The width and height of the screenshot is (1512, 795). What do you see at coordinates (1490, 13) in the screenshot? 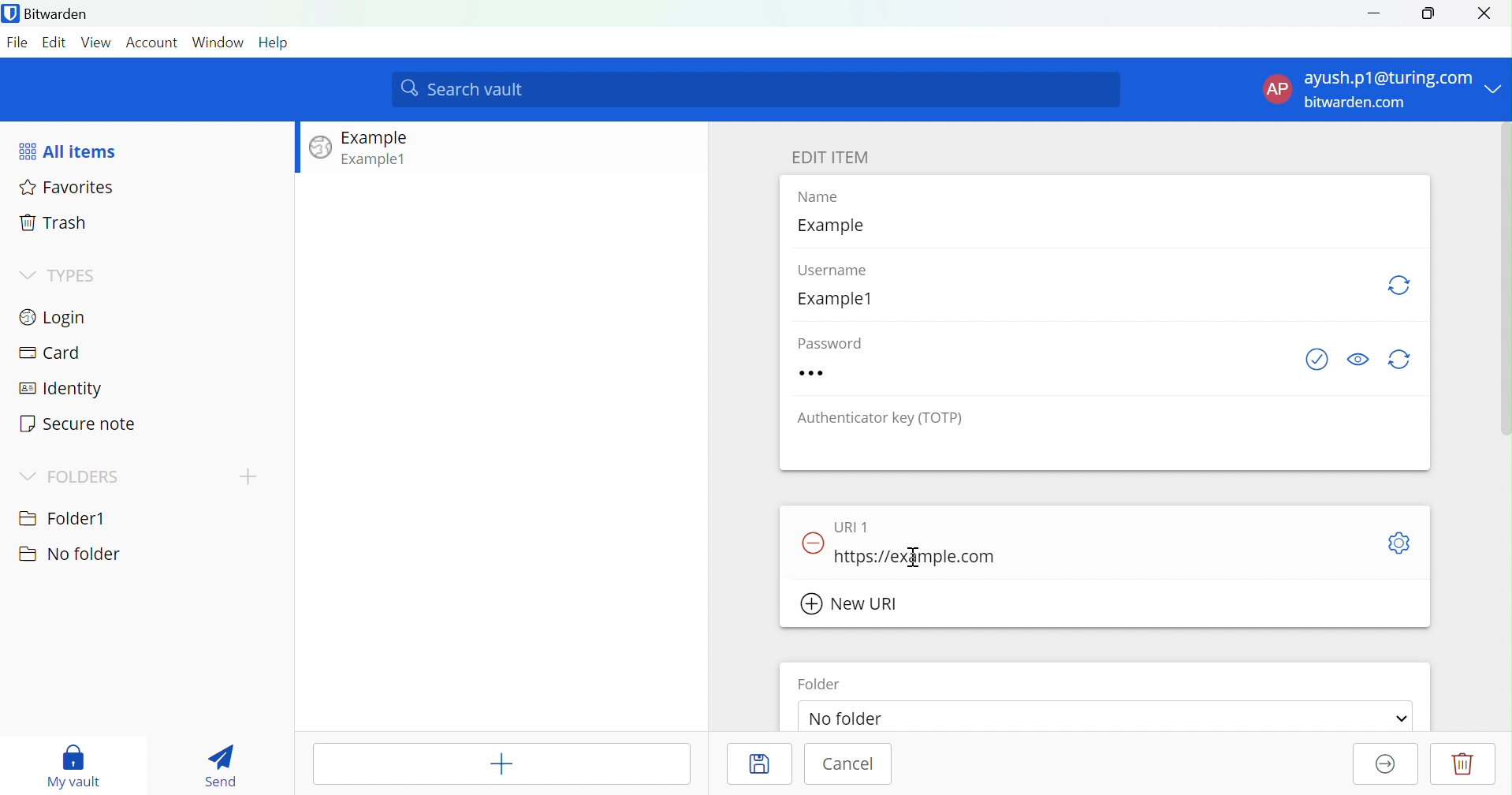
I see `Close` at bounding box center [1490, 13].